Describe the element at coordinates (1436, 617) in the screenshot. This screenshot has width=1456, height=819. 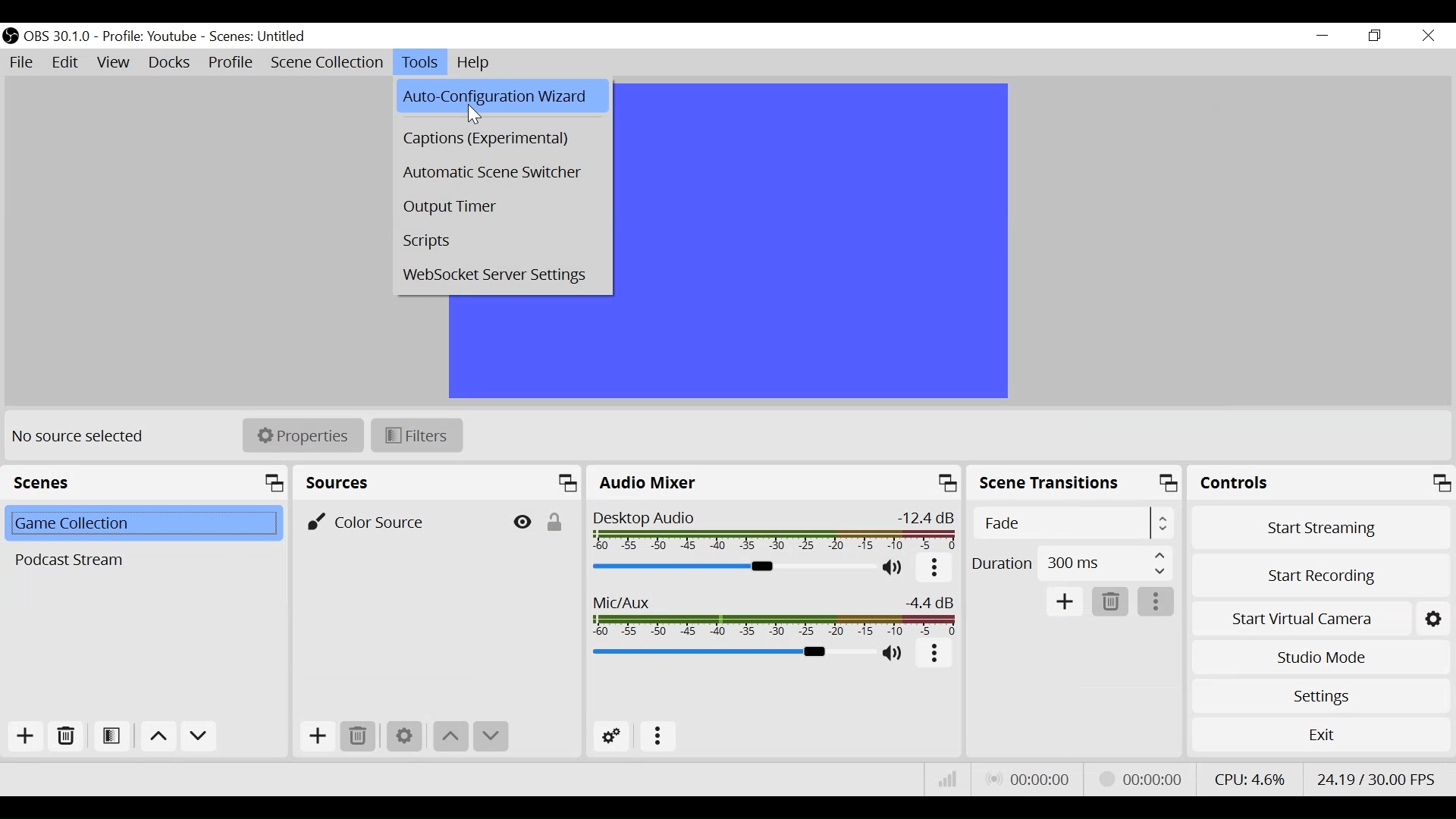
I see `settings` at that location.